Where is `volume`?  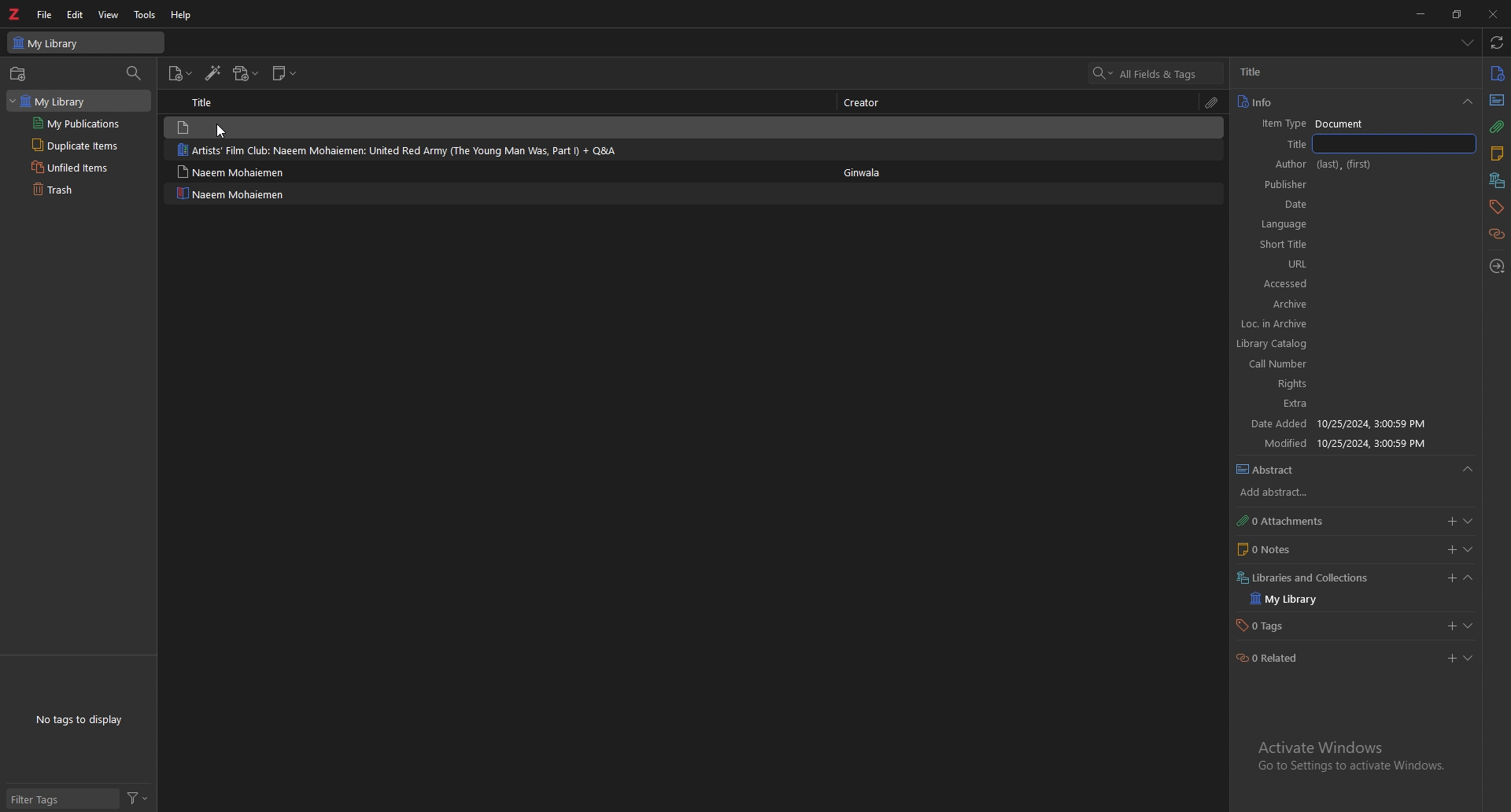
volume is located at coordinates (1278, 245).